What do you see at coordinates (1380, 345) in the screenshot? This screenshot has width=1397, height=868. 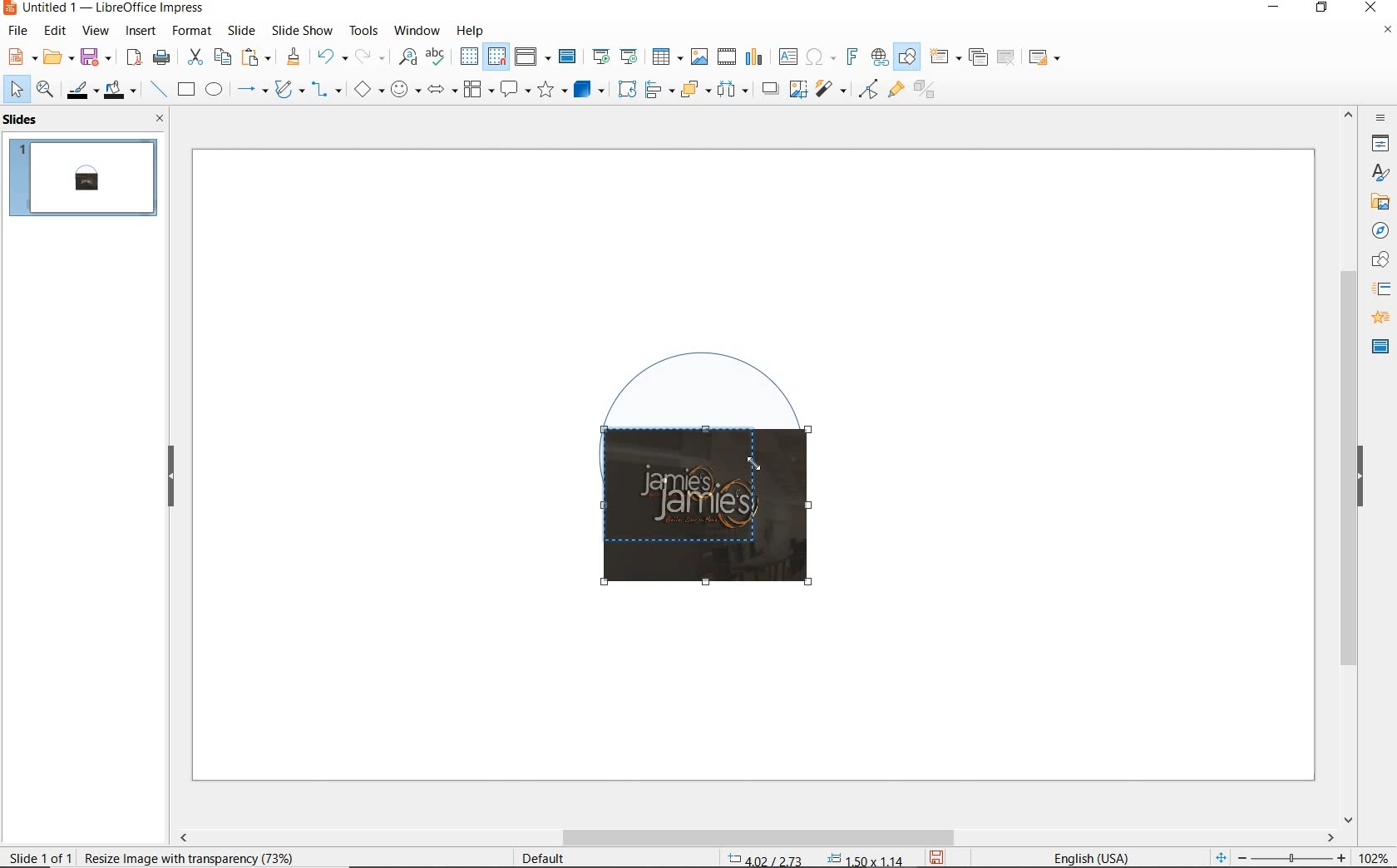 I see `master slide` at bounding box center [1380, 345].